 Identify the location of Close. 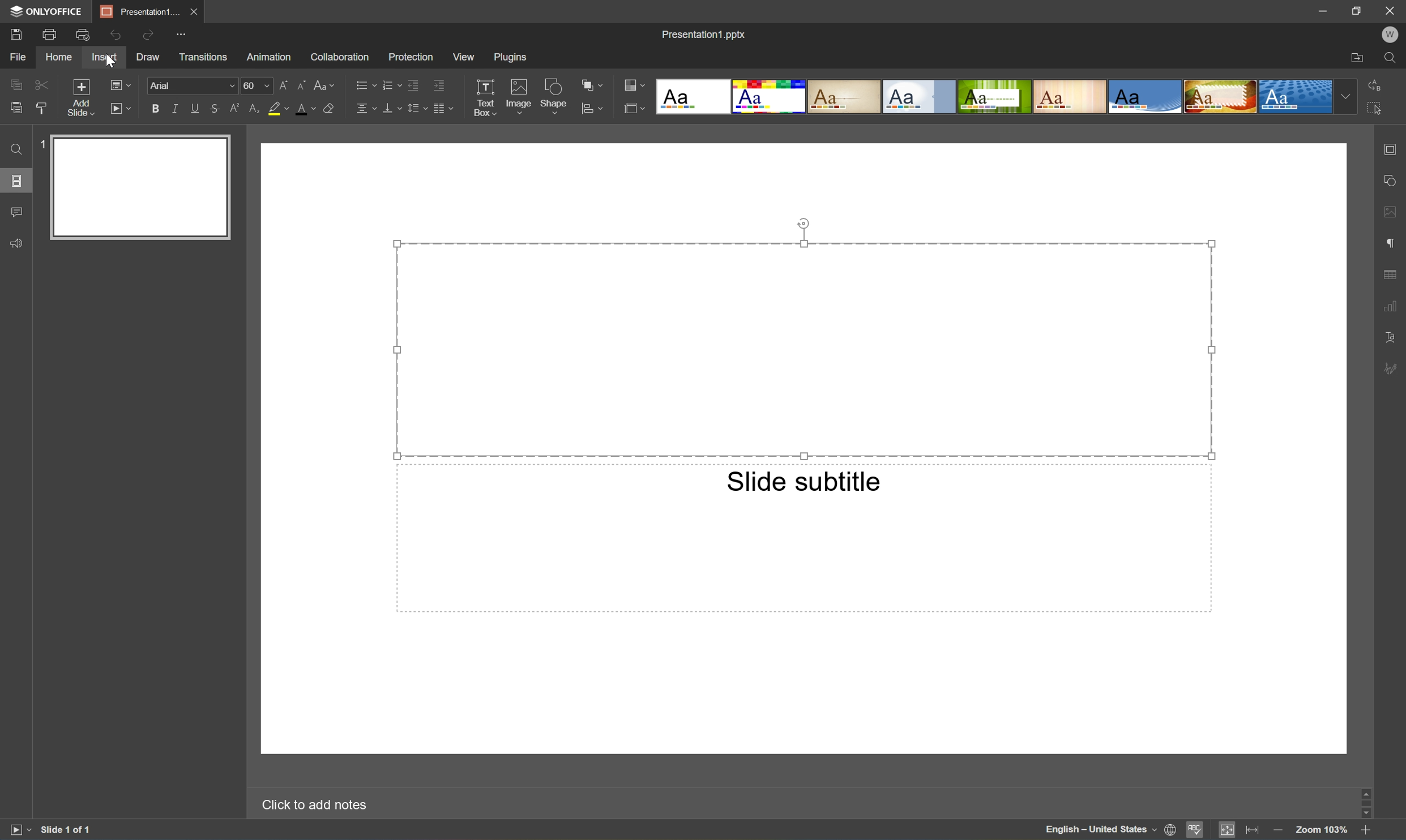
(194, 11).